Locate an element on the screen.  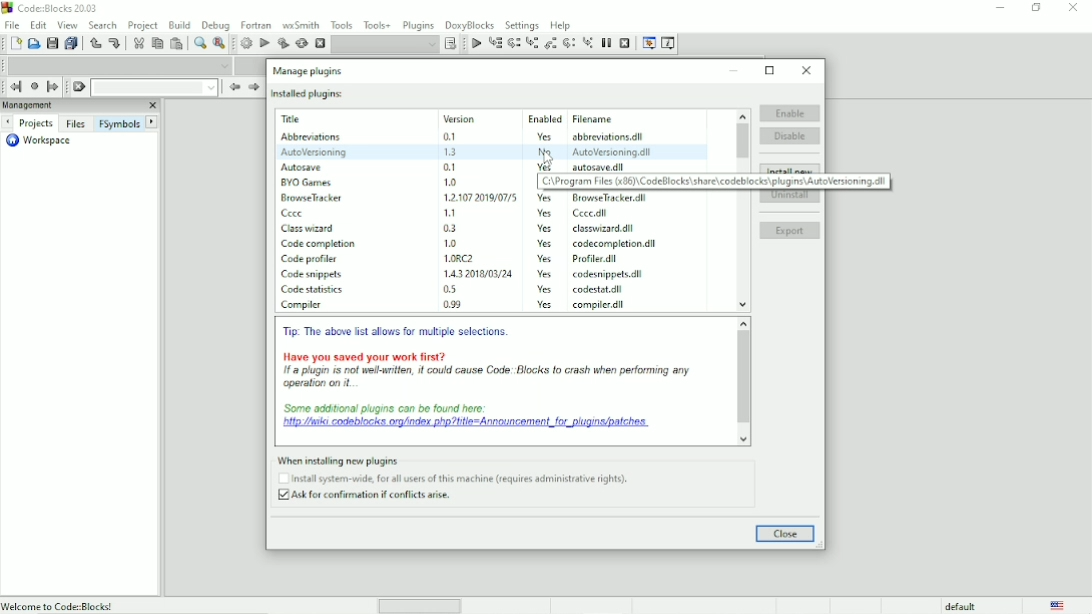
Break debugger is located at coordinates (606, 43).